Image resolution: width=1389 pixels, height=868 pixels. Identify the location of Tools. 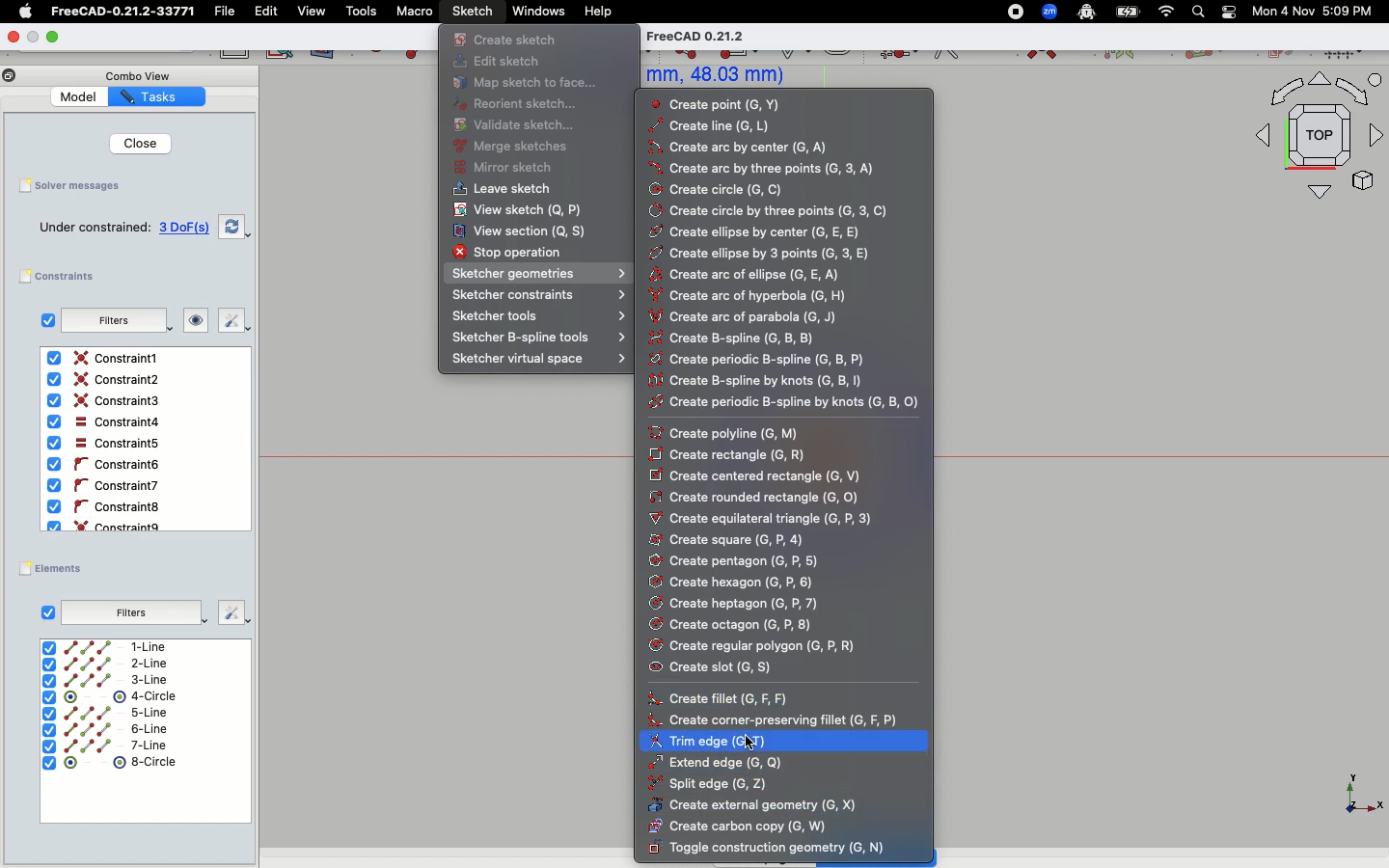
(361, 13).